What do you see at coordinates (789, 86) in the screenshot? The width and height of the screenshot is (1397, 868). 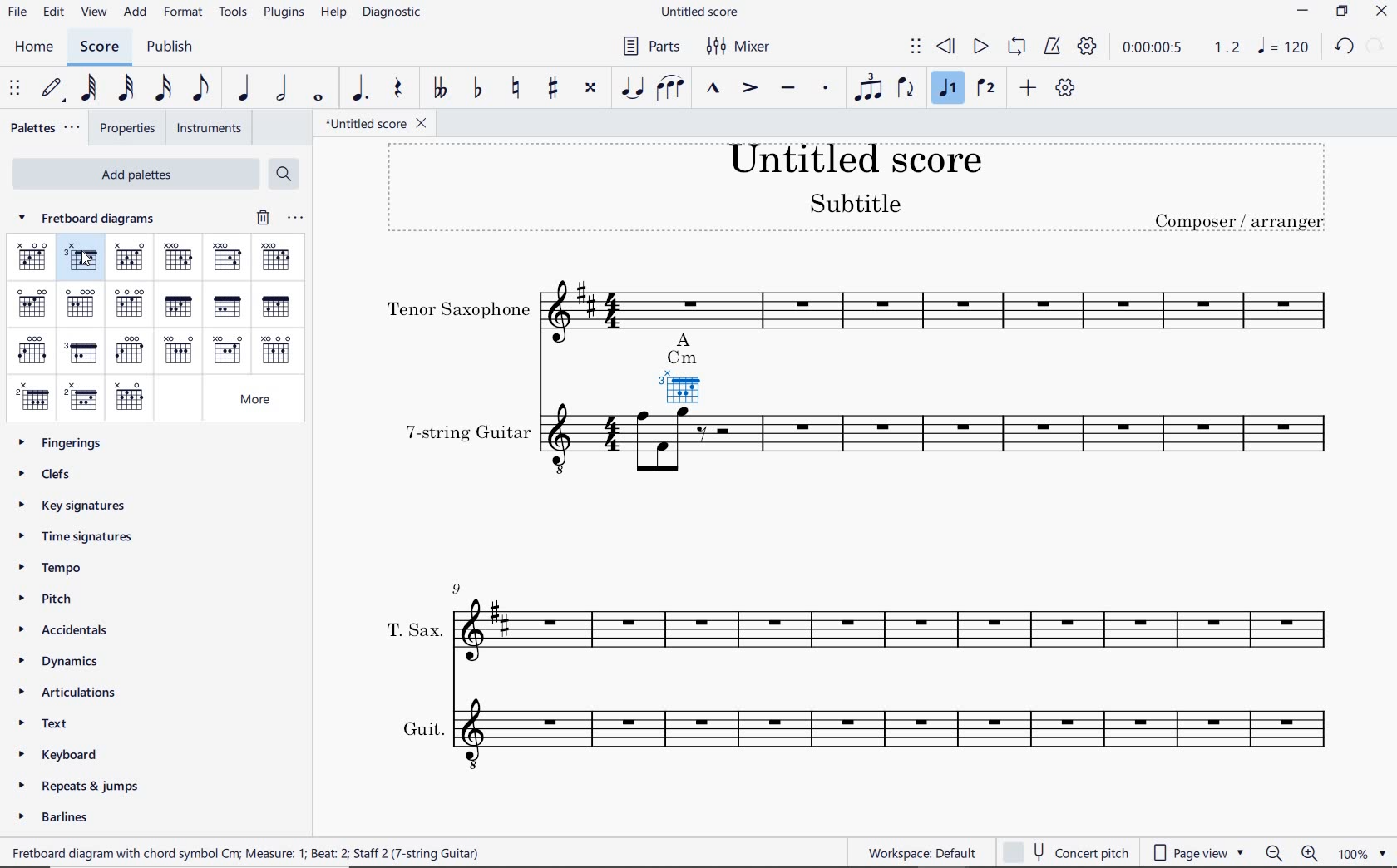 I see `TENUTO` at bounding box center [789, 86].